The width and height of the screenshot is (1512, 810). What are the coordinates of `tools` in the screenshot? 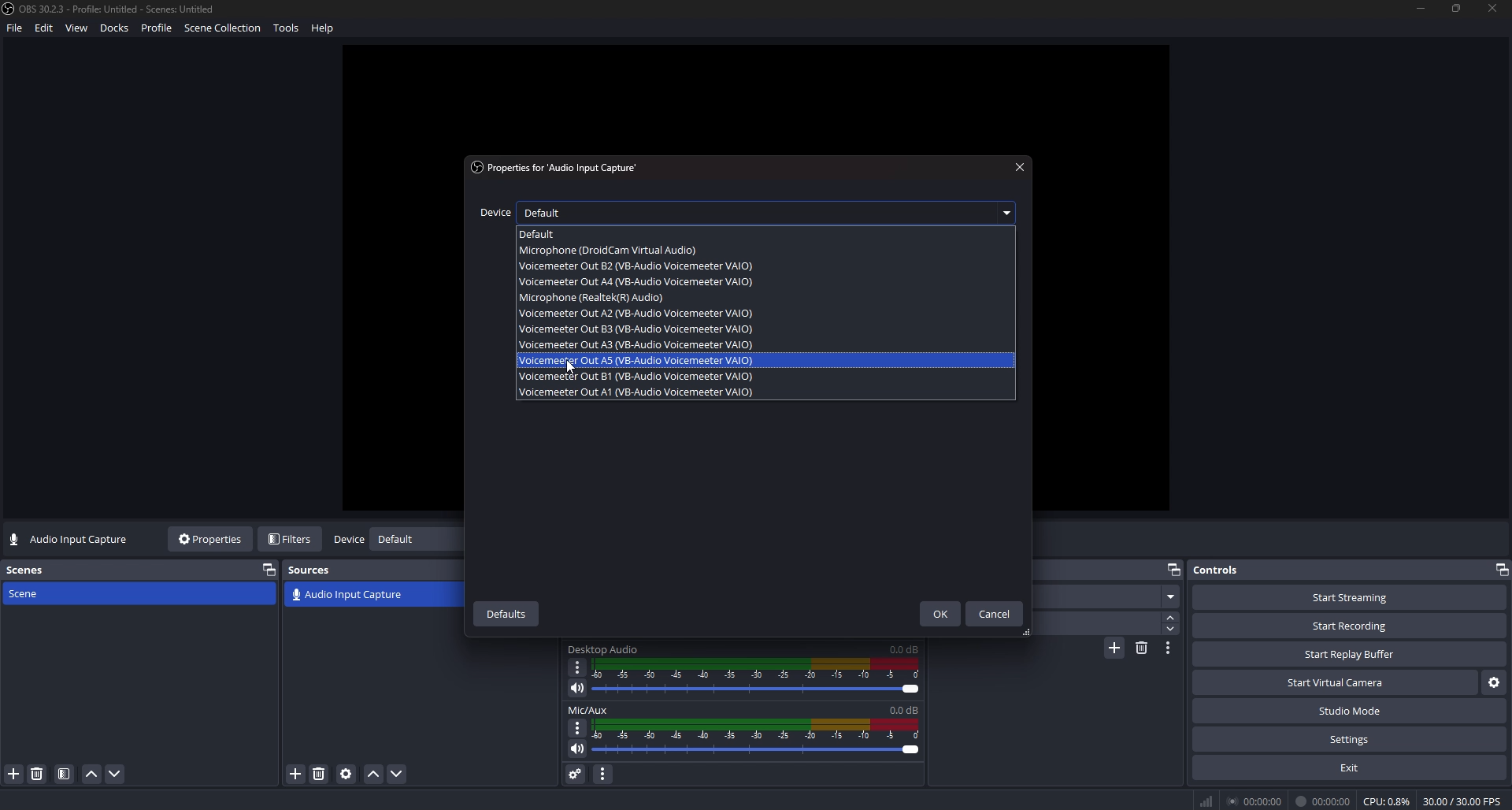 It's located at (290, 31).